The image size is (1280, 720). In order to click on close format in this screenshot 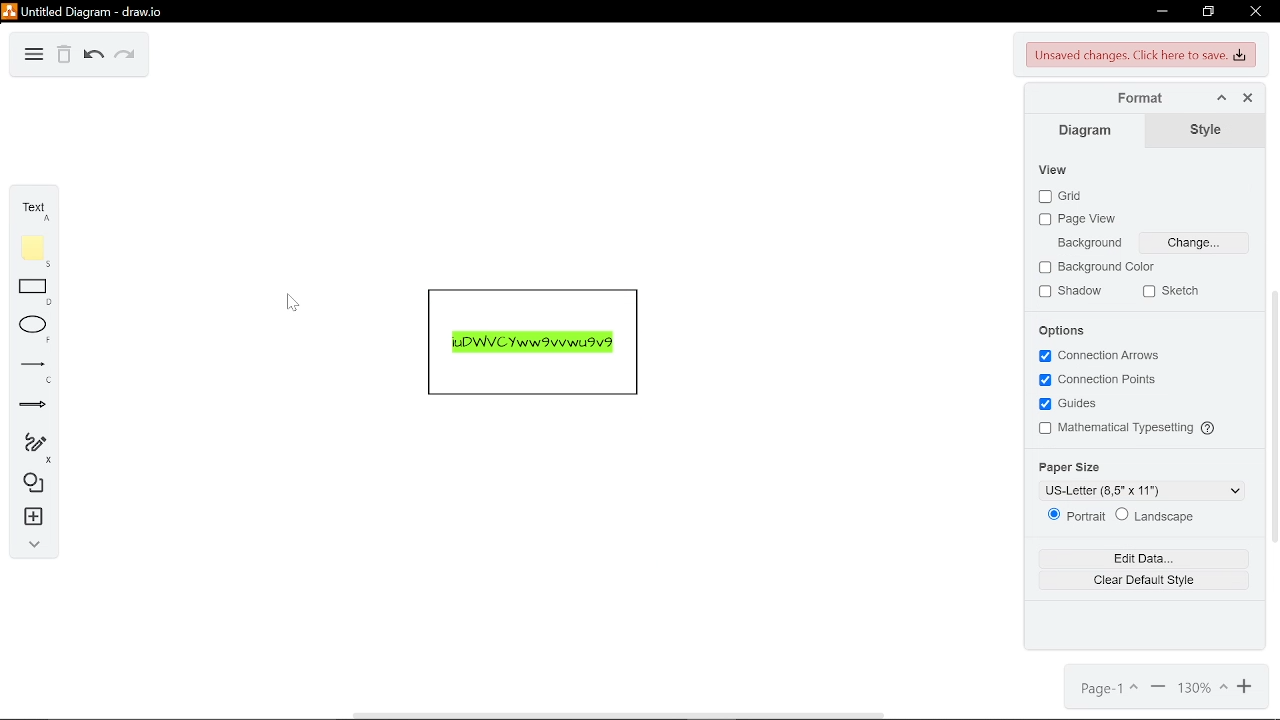, I will do `click(1247, 97)`.